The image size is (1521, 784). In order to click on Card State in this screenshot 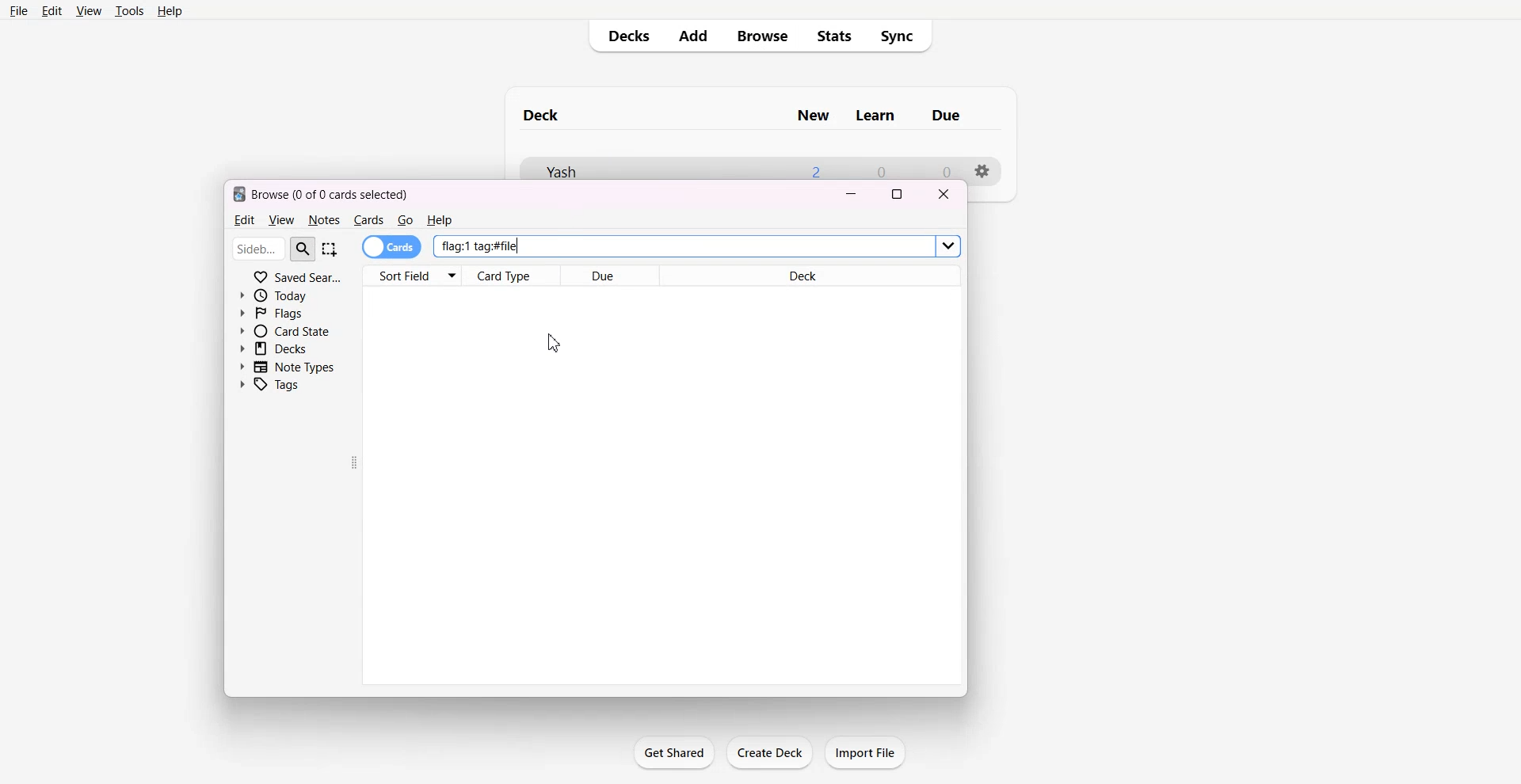, I will do `click(284, 332)`.